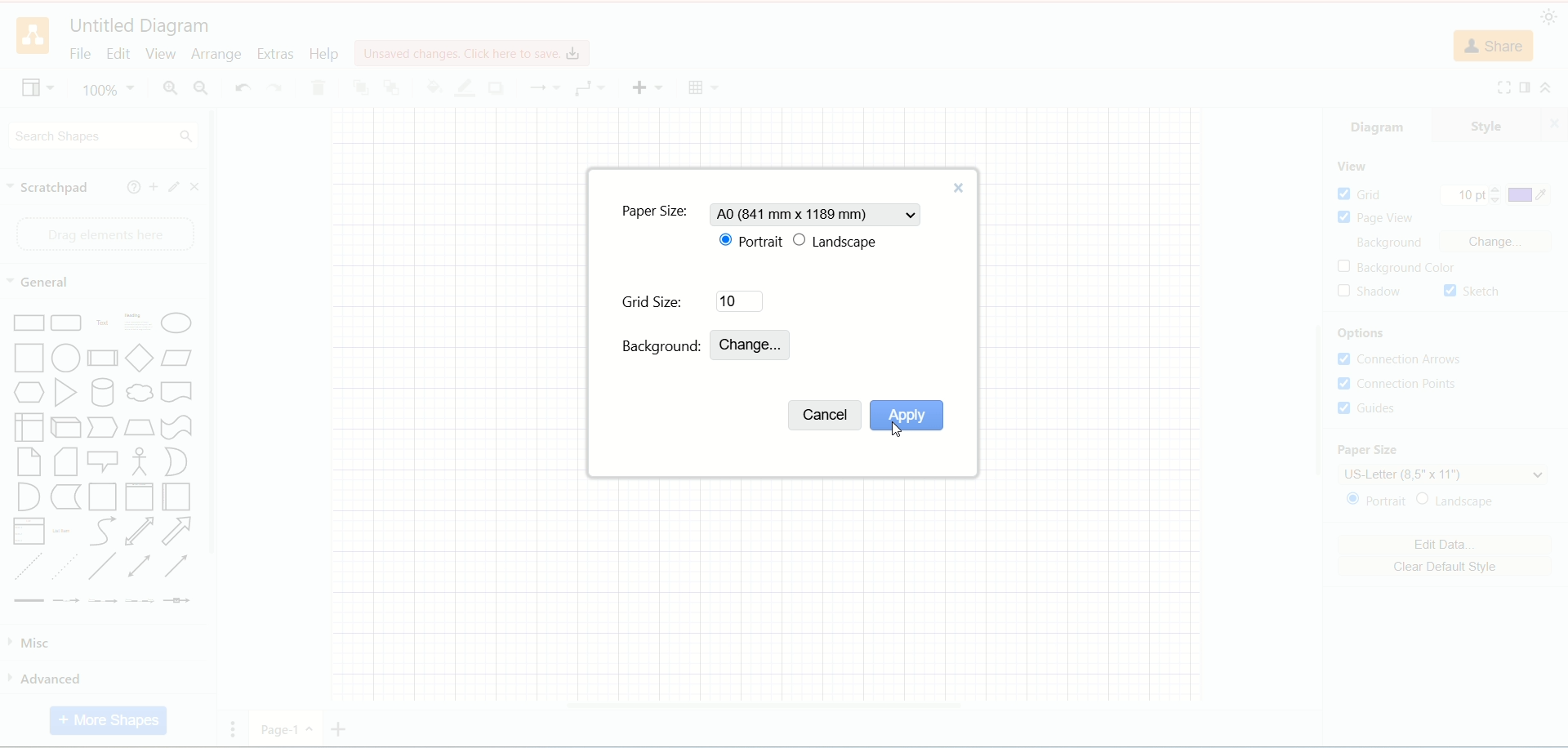 The width and height of the screenshot is (1568, 748). What do you see at coordinates (212, 427) in the screenshot?
I see `vertical scroll bar` at bounding box center [212, 427].